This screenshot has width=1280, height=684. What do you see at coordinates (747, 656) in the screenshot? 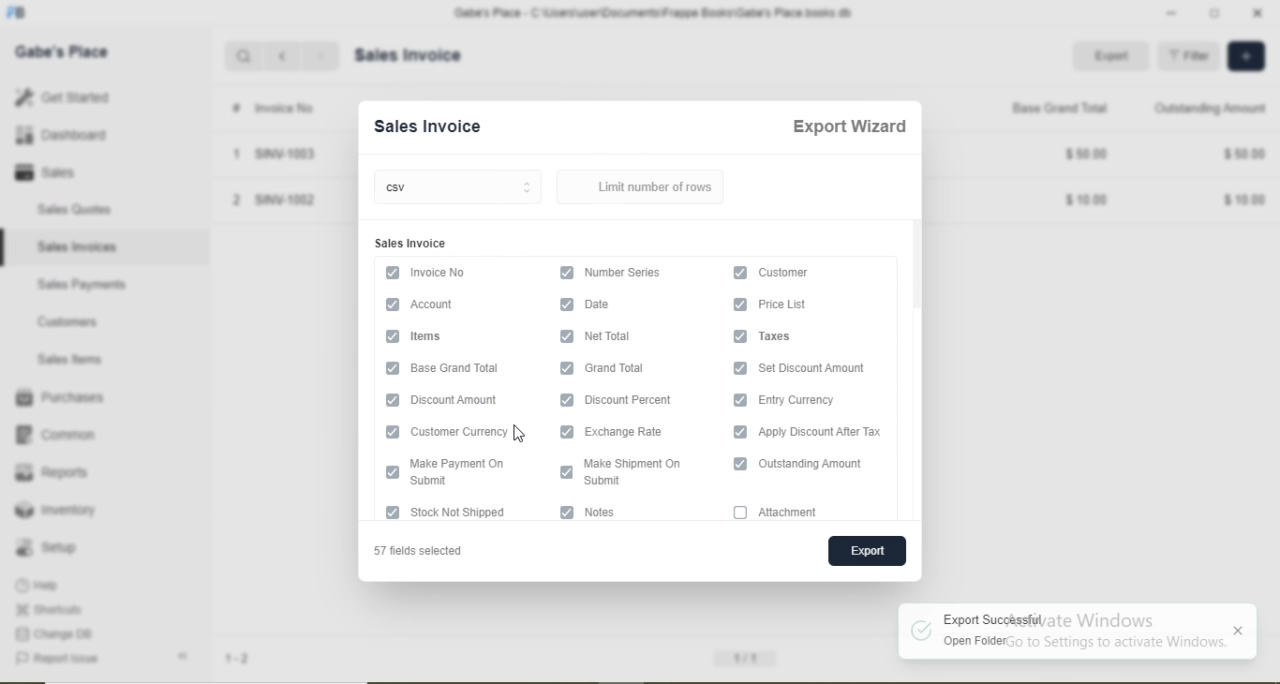
I see `11` at bounding box center [747, 656].